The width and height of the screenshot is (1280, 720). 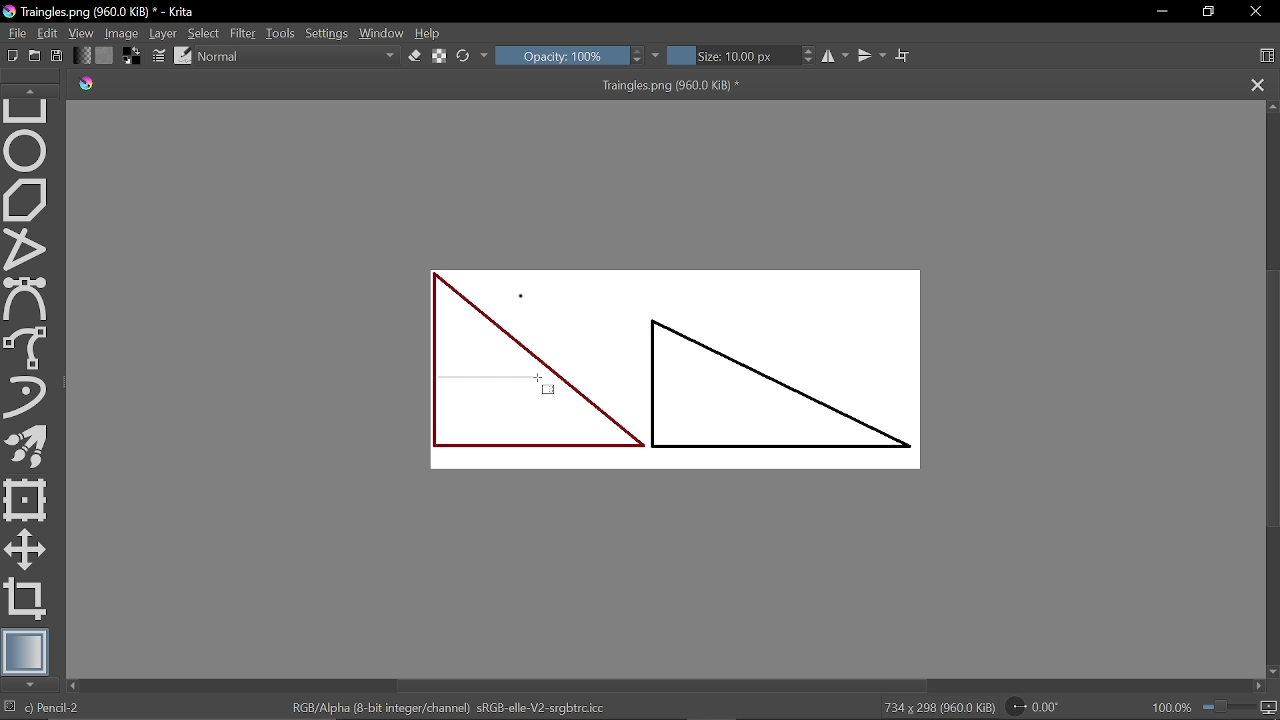 I want to click on Eraser, so click(x=414, y=57).